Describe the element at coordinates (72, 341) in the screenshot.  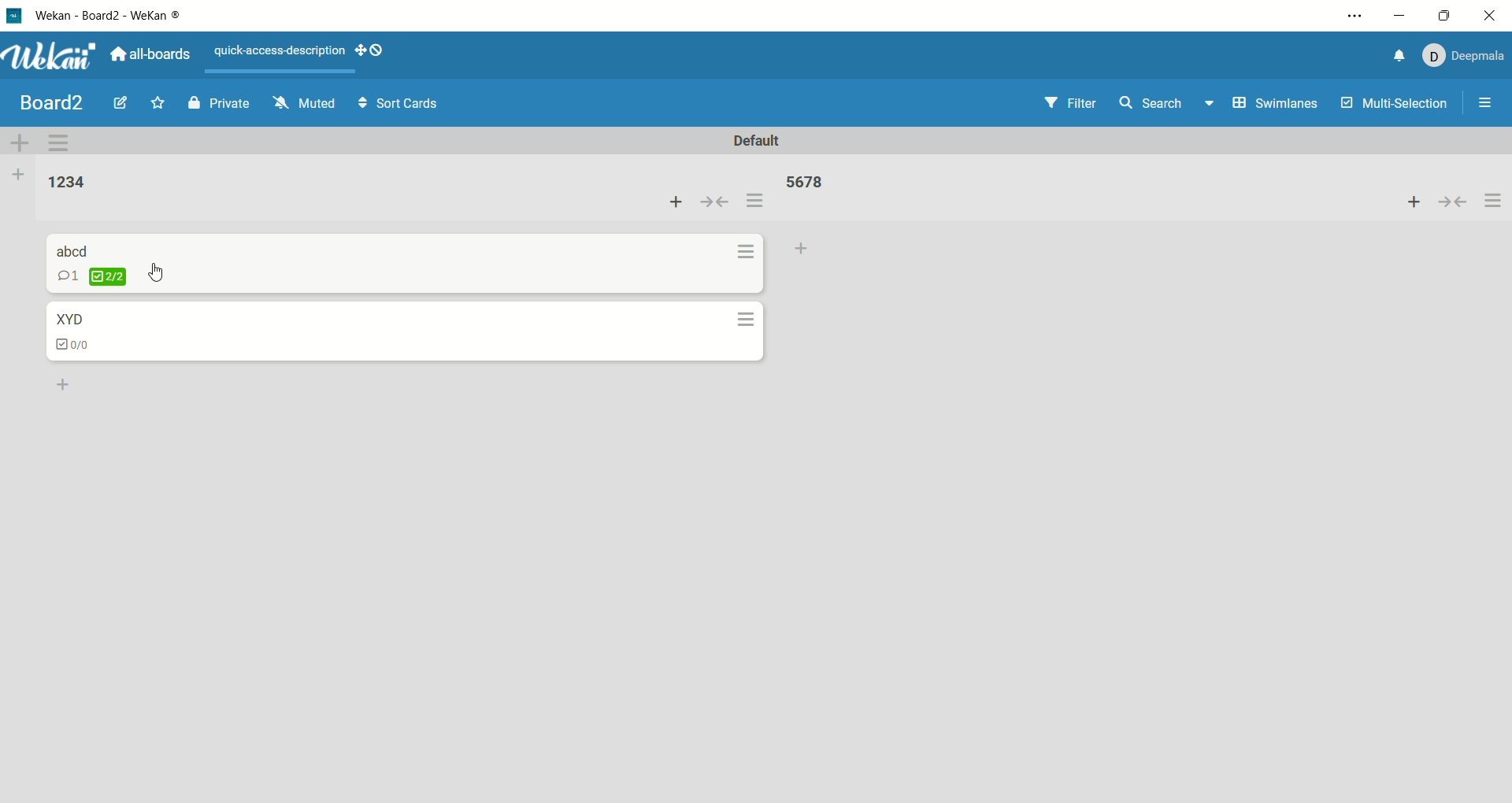
I see `checklist` at that location.